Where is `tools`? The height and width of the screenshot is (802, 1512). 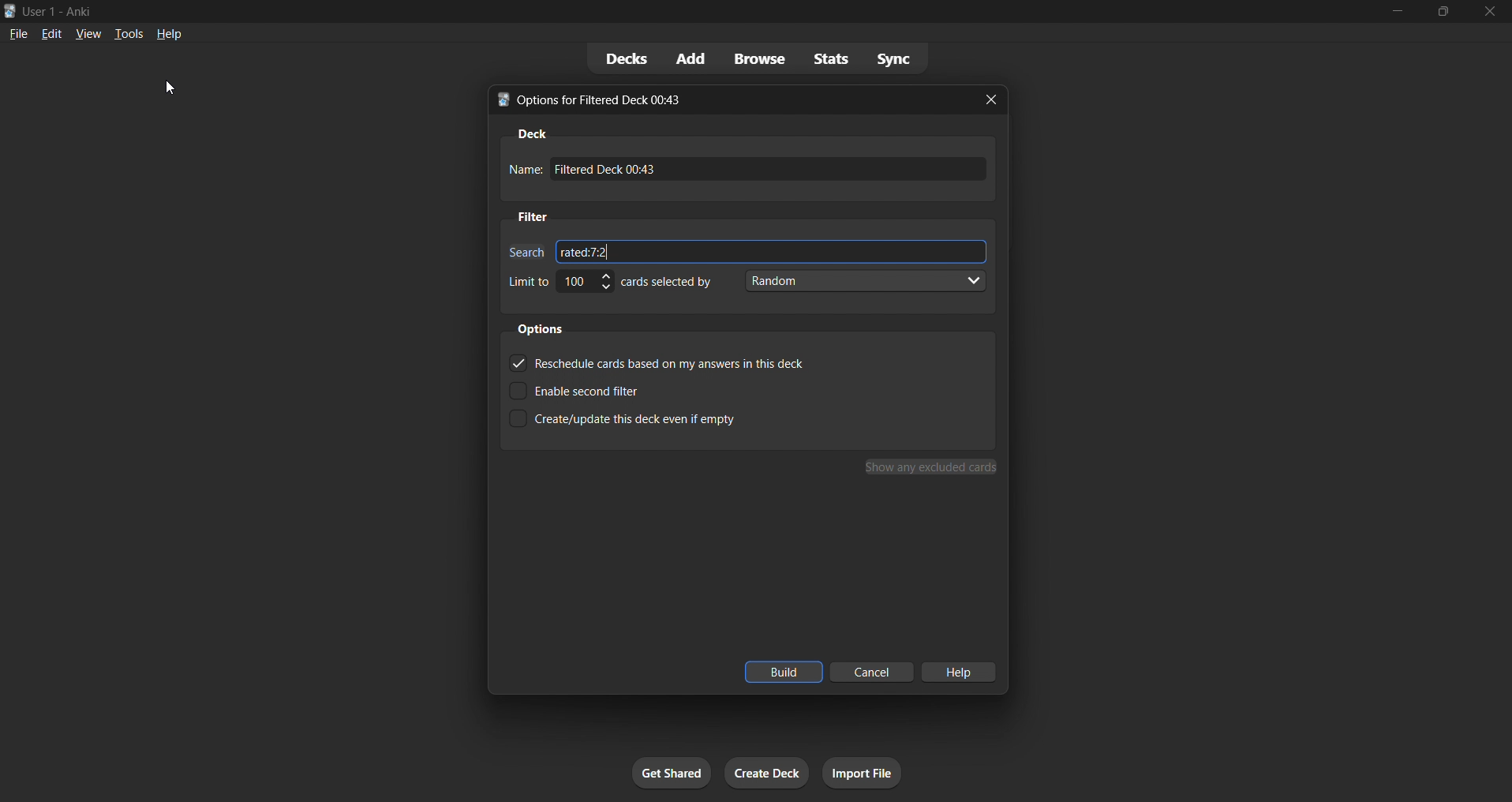 tools is located at coordinates (131, 32).